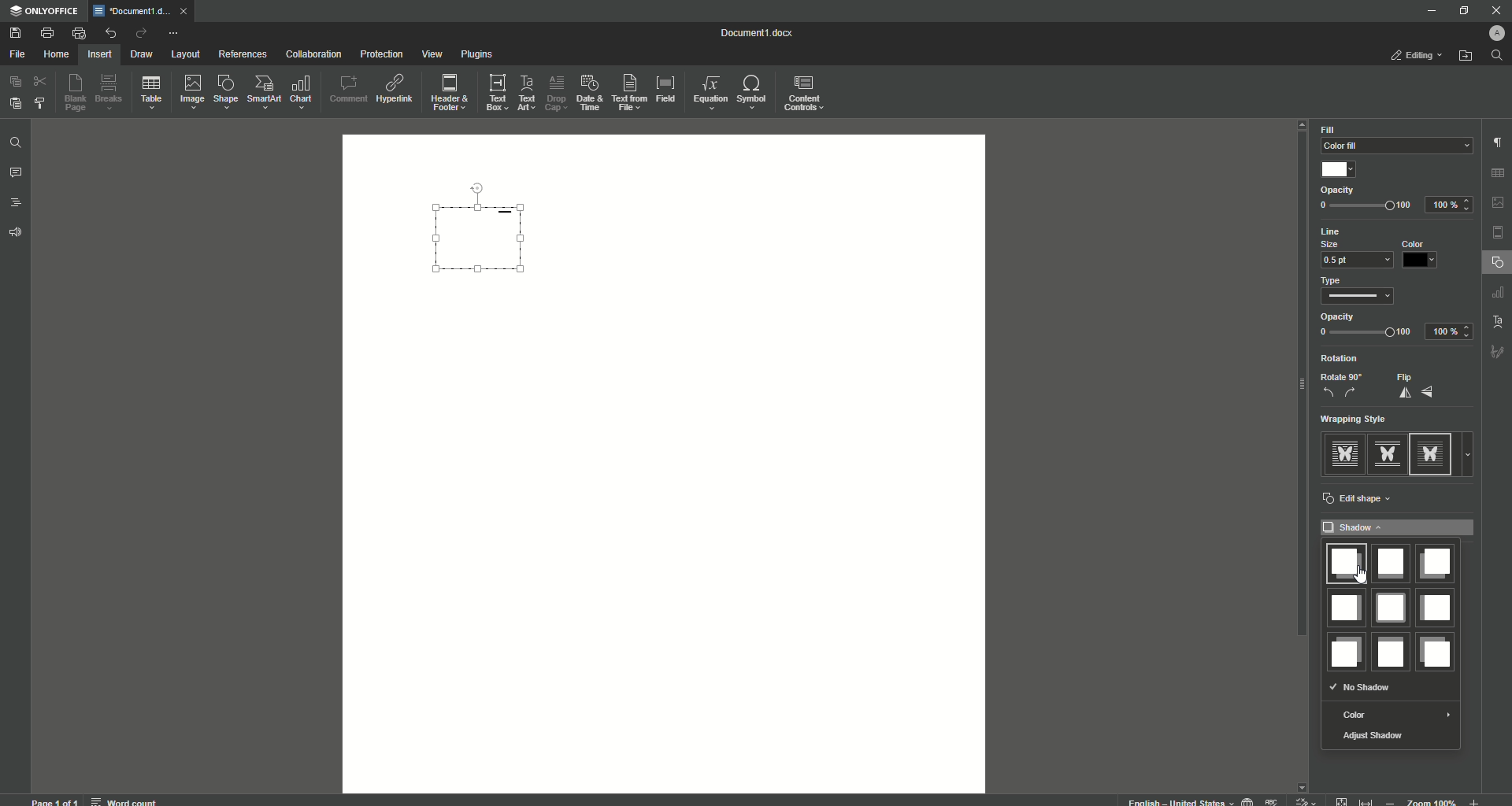 The height and width of the screenshot is (806, 1512). Describe the element at coordinates (1340, 232) in the screenshot. I see `Line ` at that location.